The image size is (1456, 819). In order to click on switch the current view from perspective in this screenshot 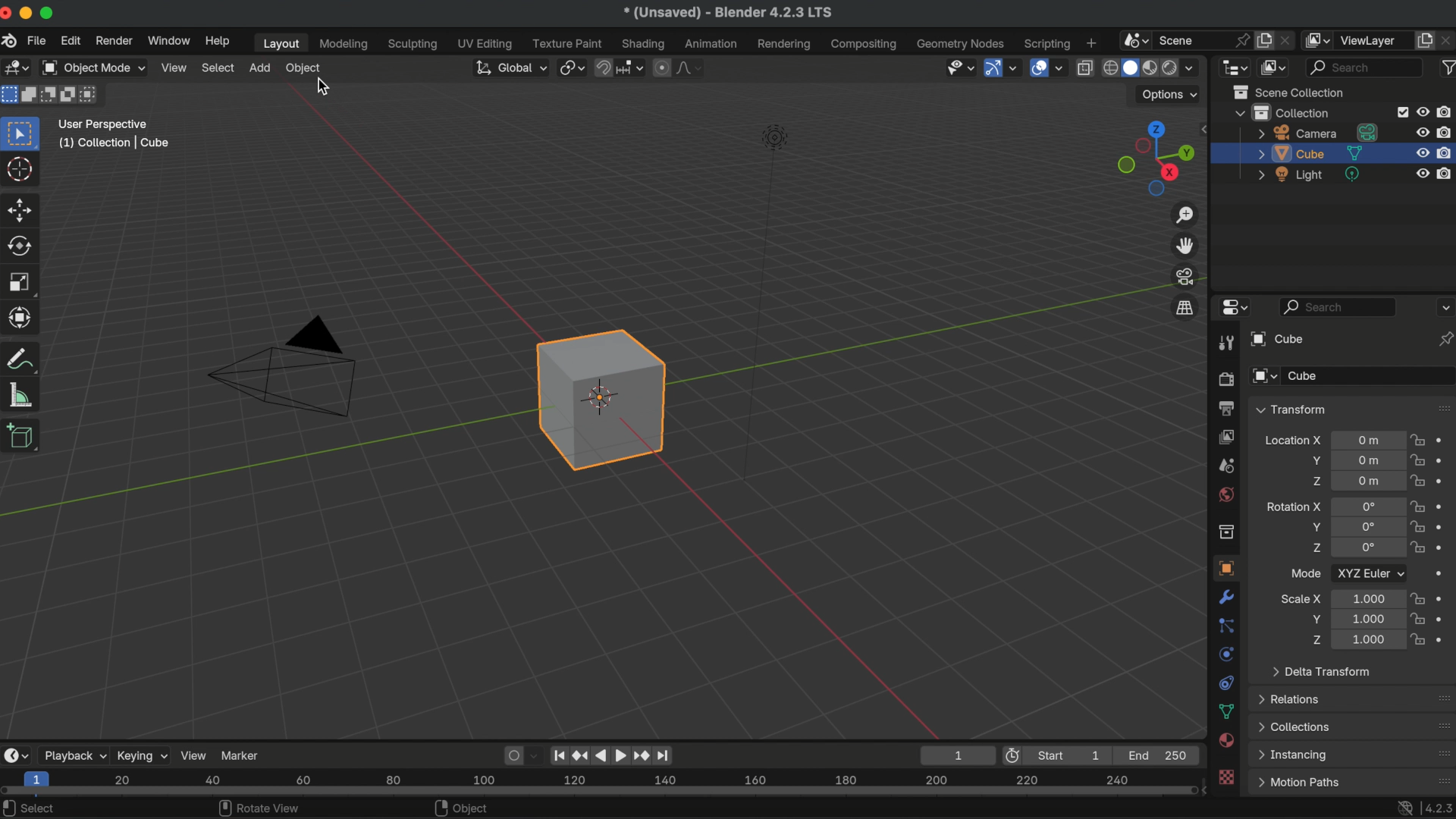, I will do `click(1184, 307)`.